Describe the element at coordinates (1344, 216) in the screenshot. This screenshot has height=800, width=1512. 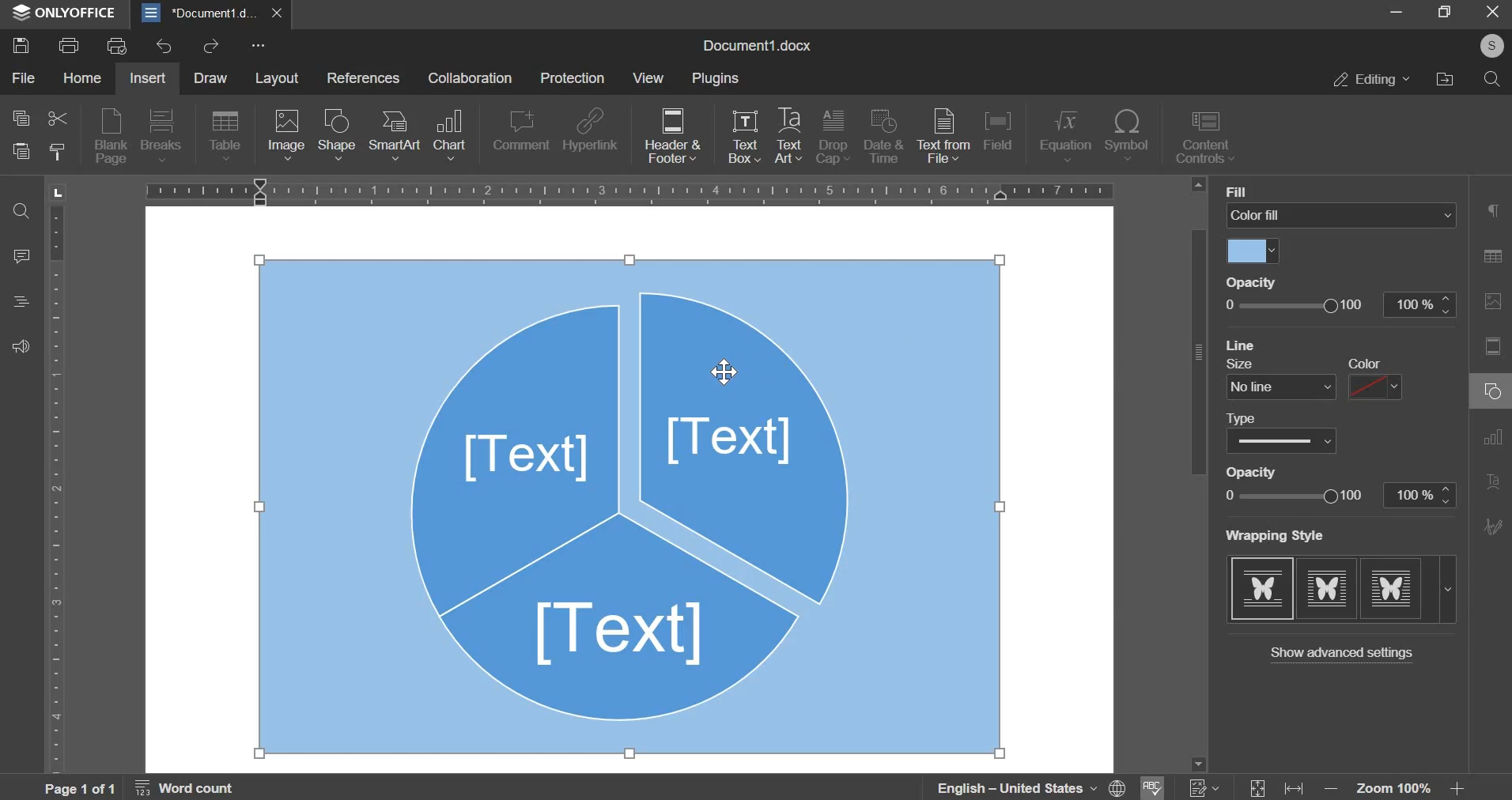
I see `fill select` at that location.